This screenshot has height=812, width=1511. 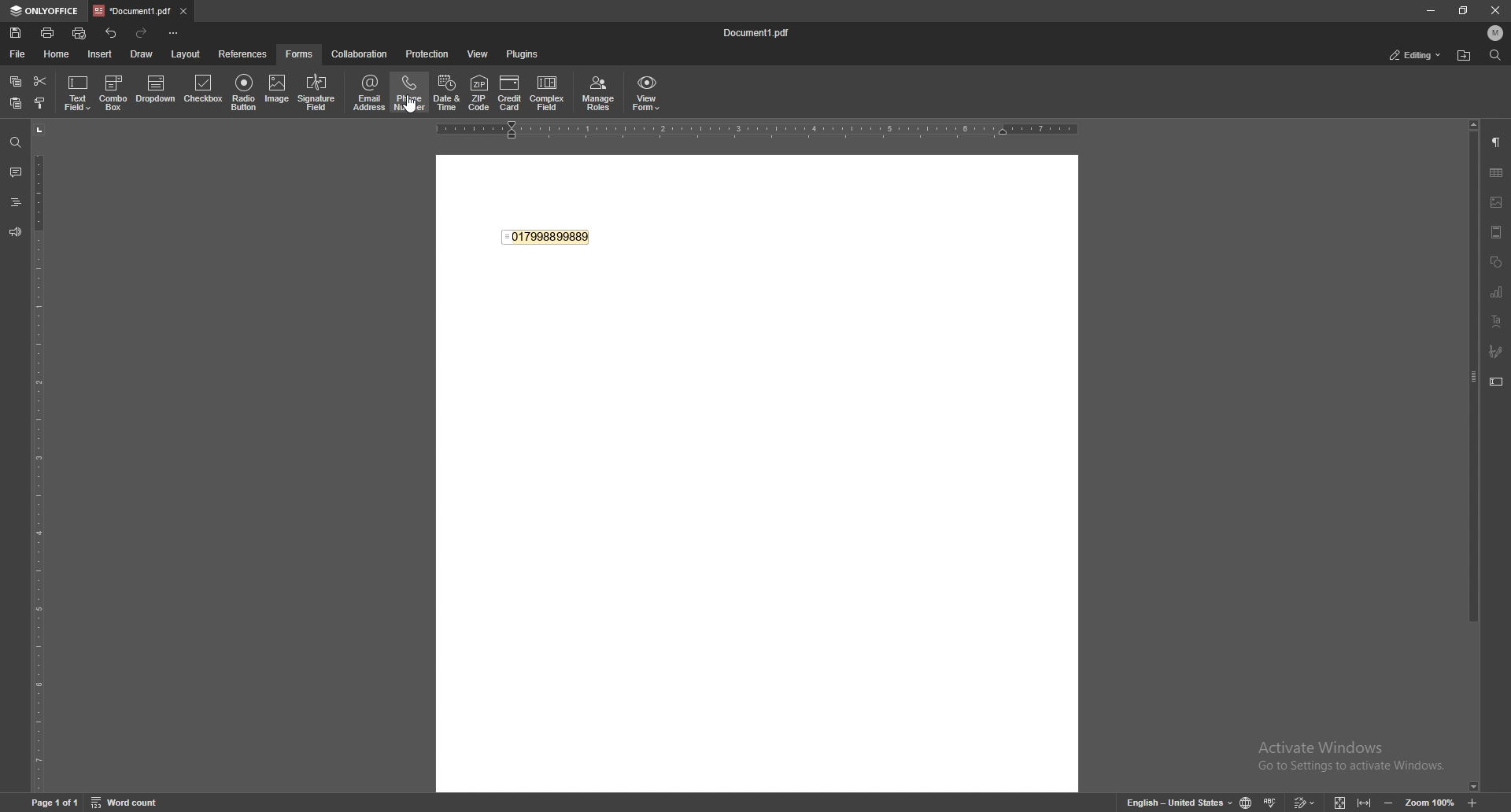 I want to click on text art, so click(x=1496, y=322).